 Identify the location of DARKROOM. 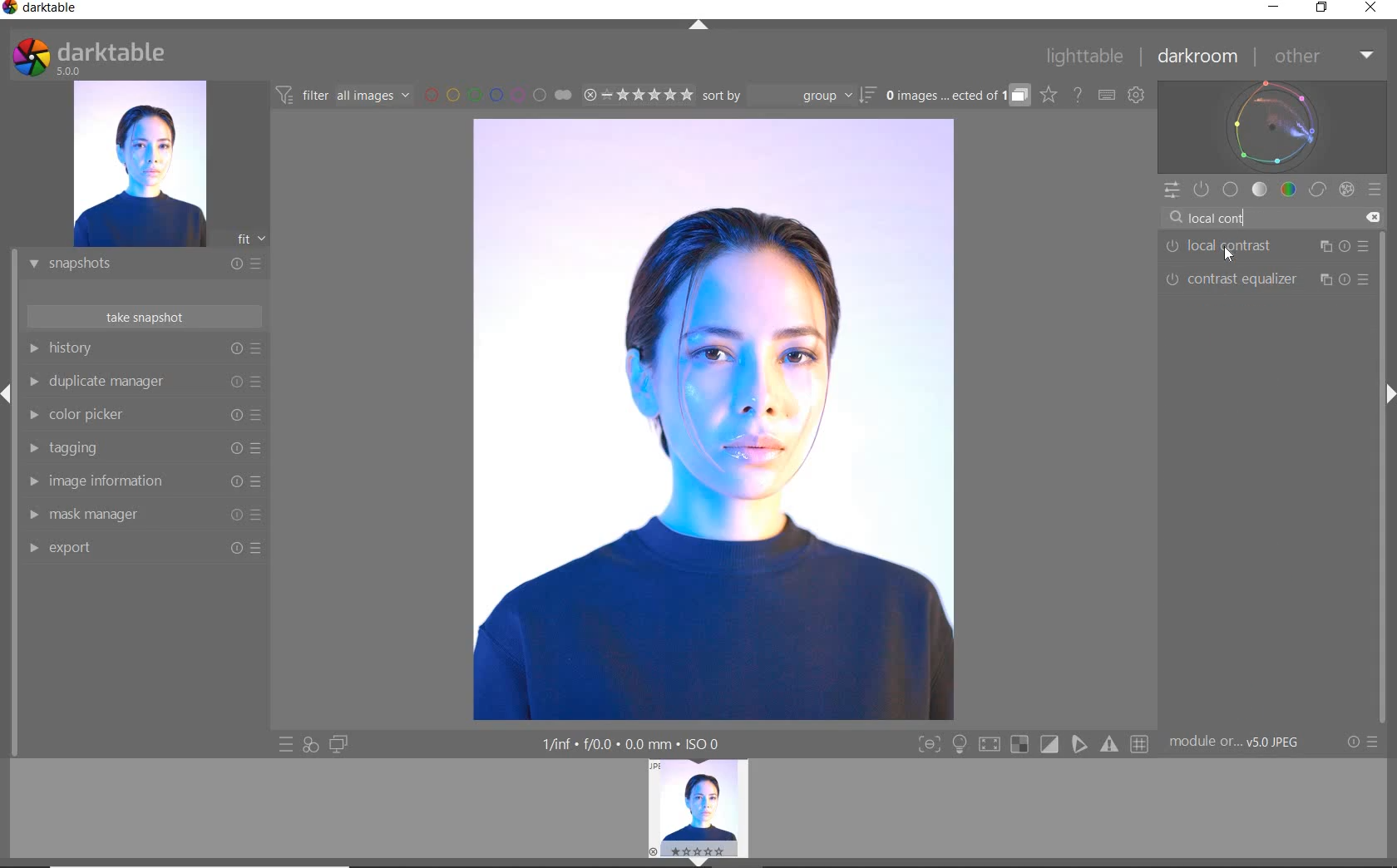
(1198, 57).